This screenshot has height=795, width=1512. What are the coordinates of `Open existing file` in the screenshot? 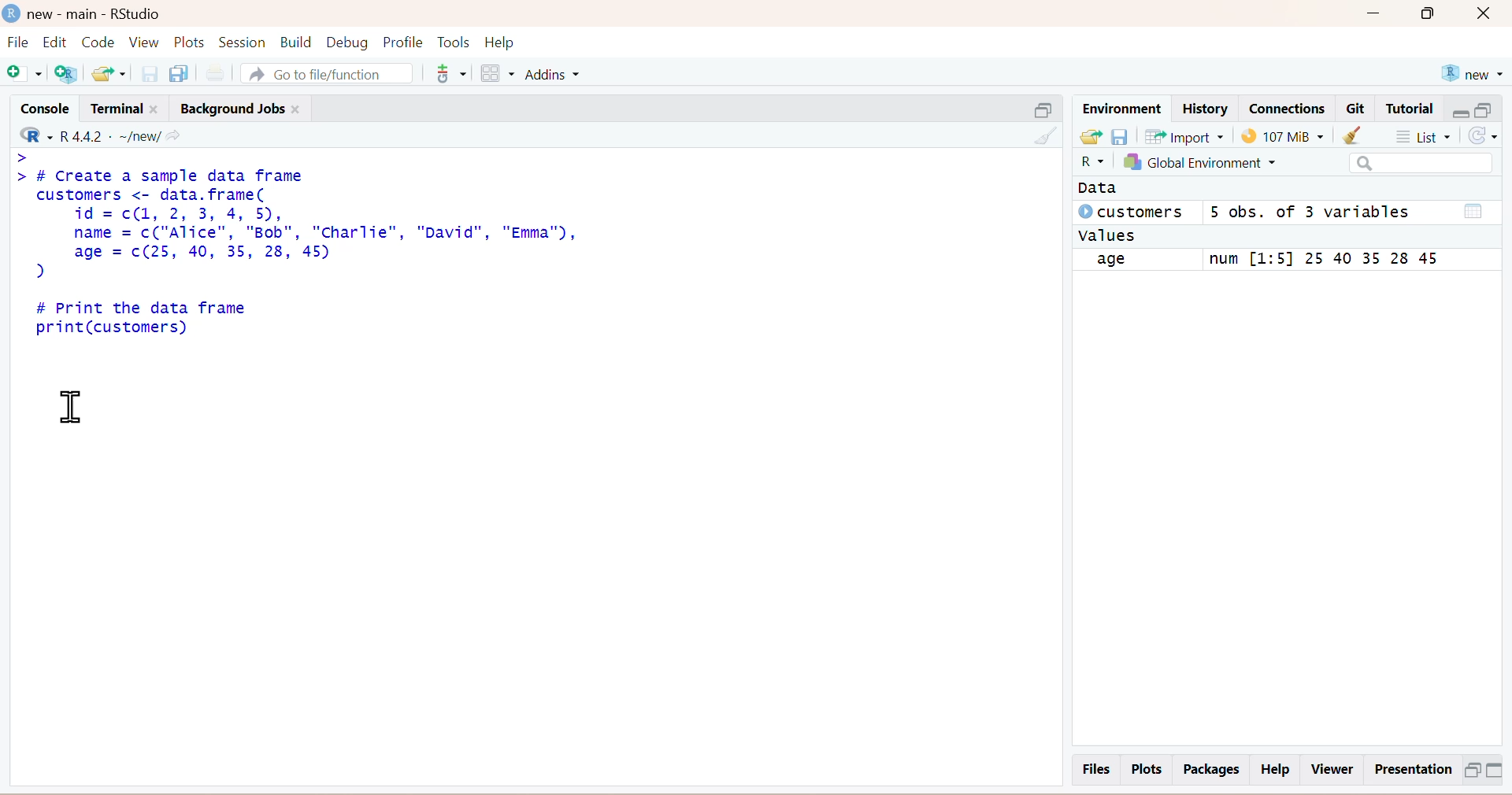 It's located at (111, 72).